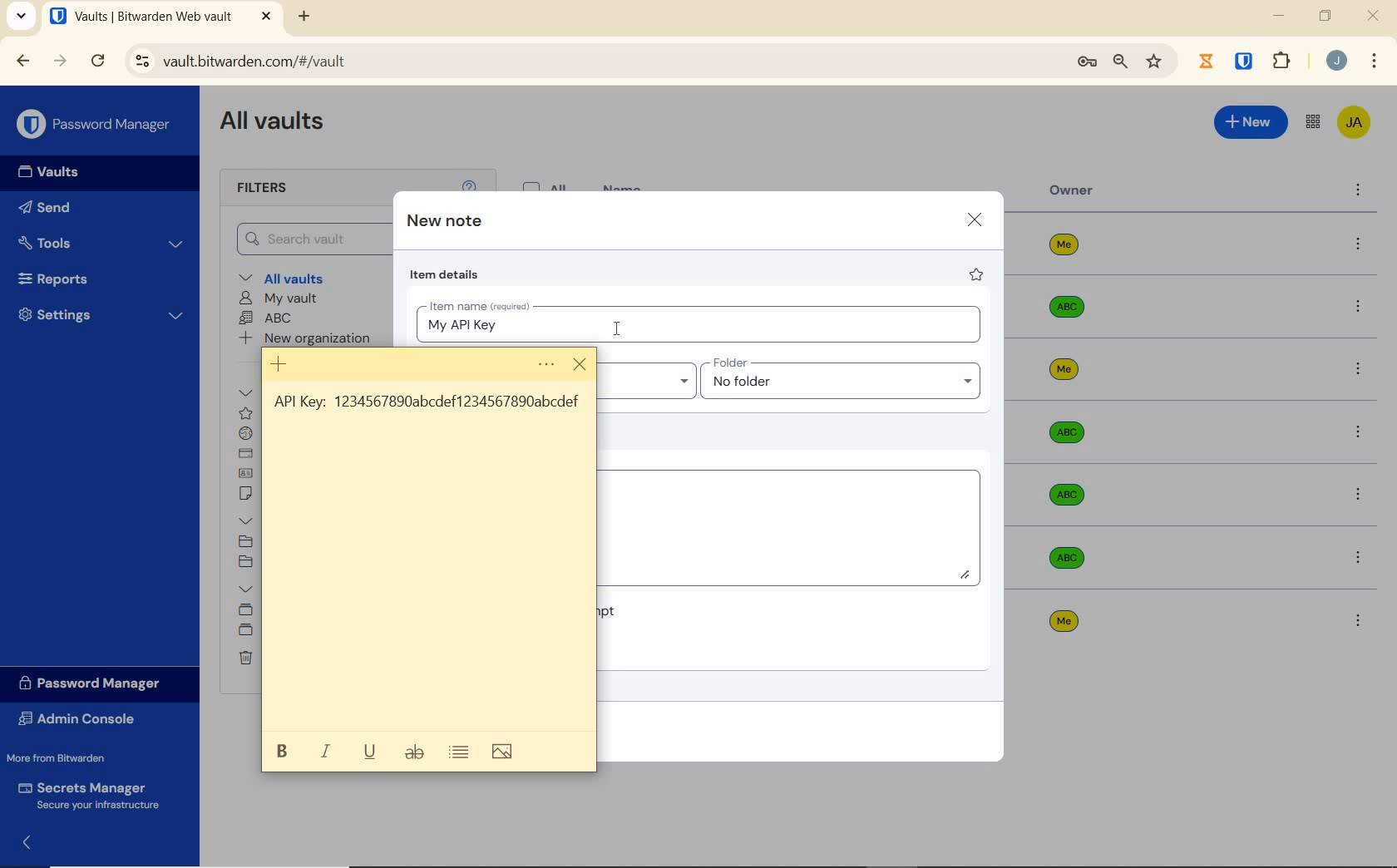  Describe the element at coordinates (266, 17) in the screenshot. I see `CLOSE` at that location.